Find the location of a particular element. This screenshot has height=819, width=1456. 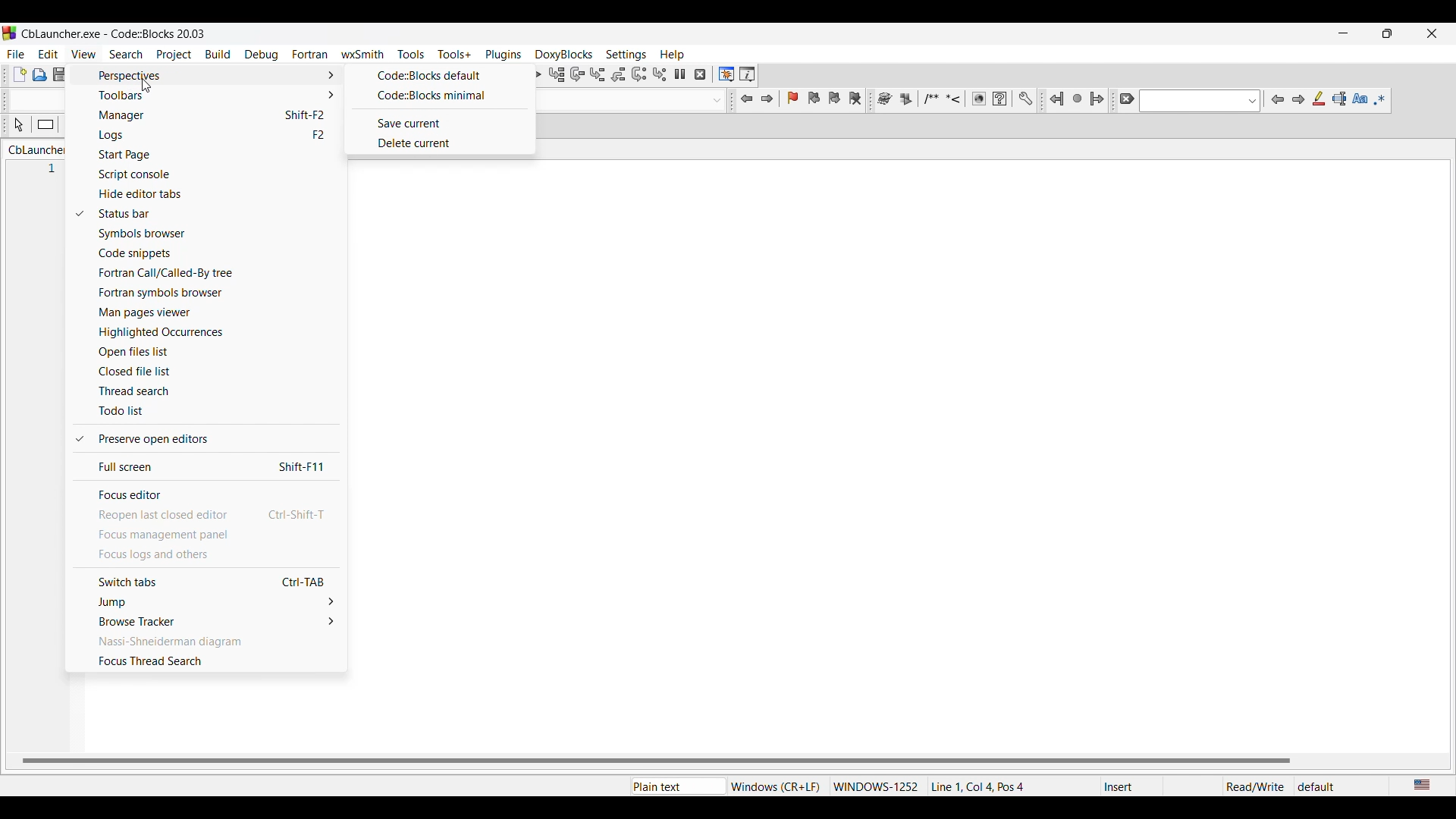

Hide editor tabs is located at coordinates (220, 195).